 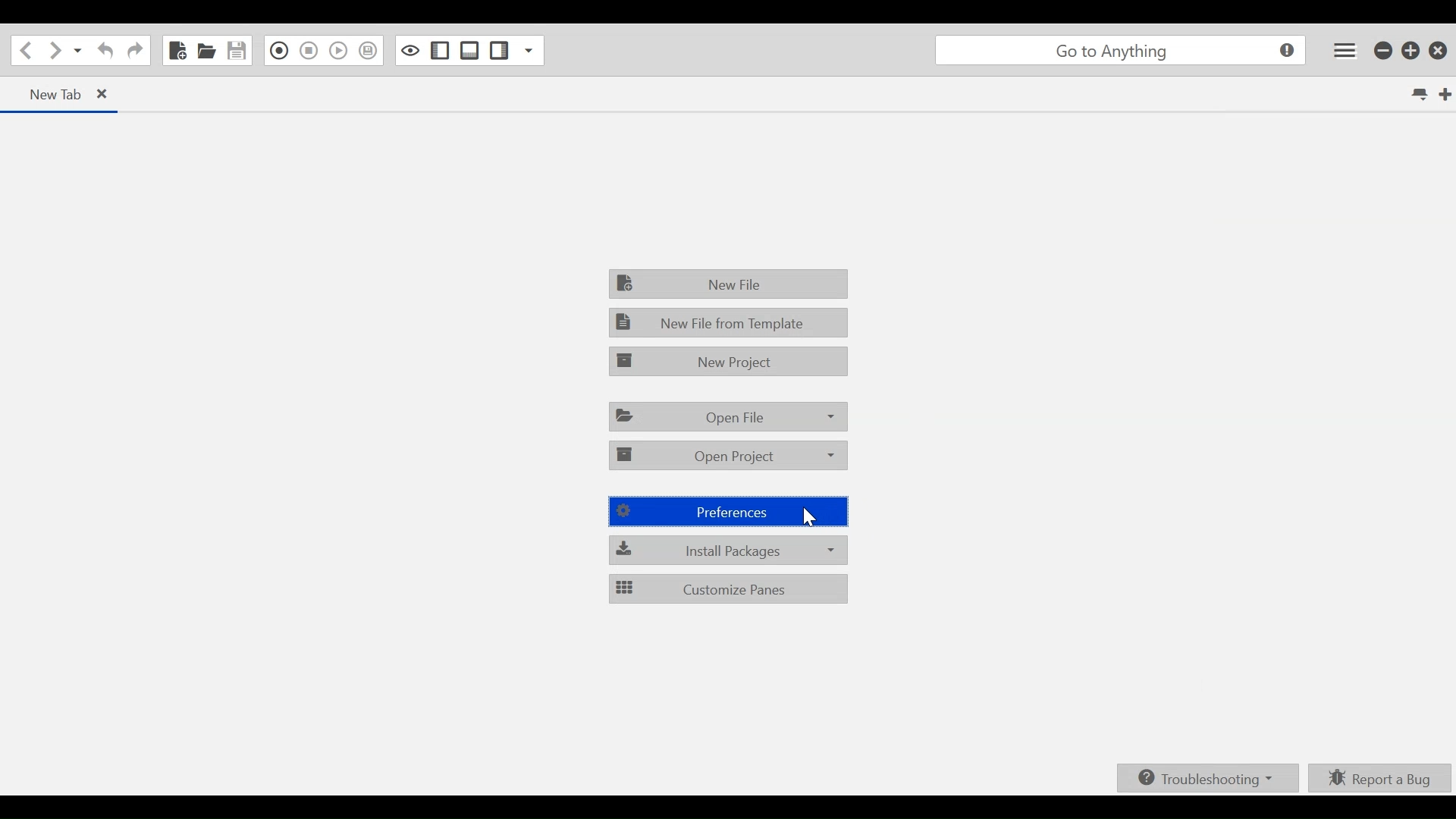 I want to click on Open File, so click(x=729, y=416).